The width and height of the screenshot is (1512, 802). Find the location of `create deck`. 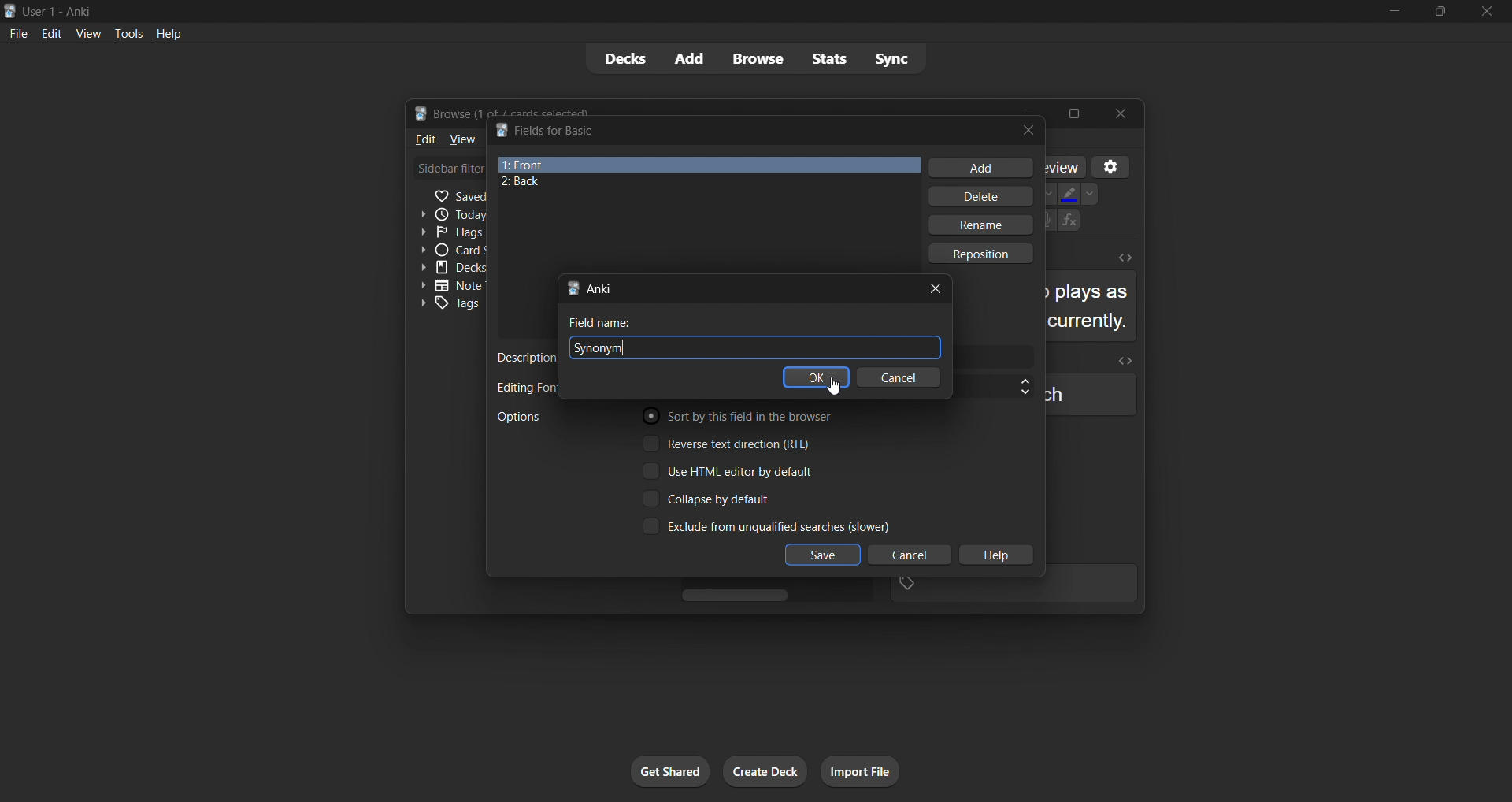

create deck is located at coordinates (1569, 1609).